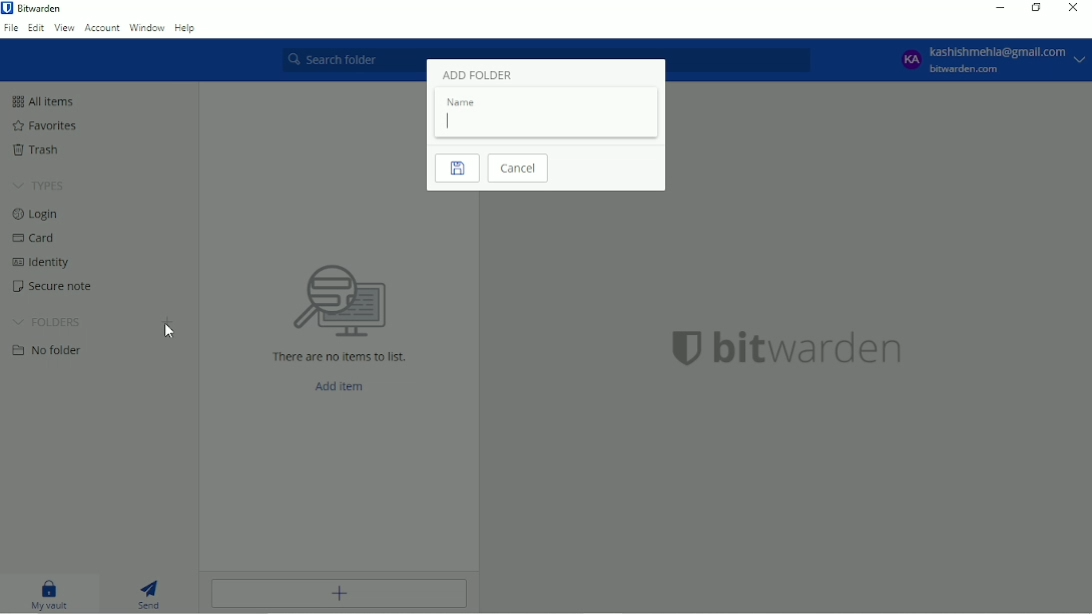 This screenshot has height=614, width=1092. I want to click on Edit, so click(36, 27).